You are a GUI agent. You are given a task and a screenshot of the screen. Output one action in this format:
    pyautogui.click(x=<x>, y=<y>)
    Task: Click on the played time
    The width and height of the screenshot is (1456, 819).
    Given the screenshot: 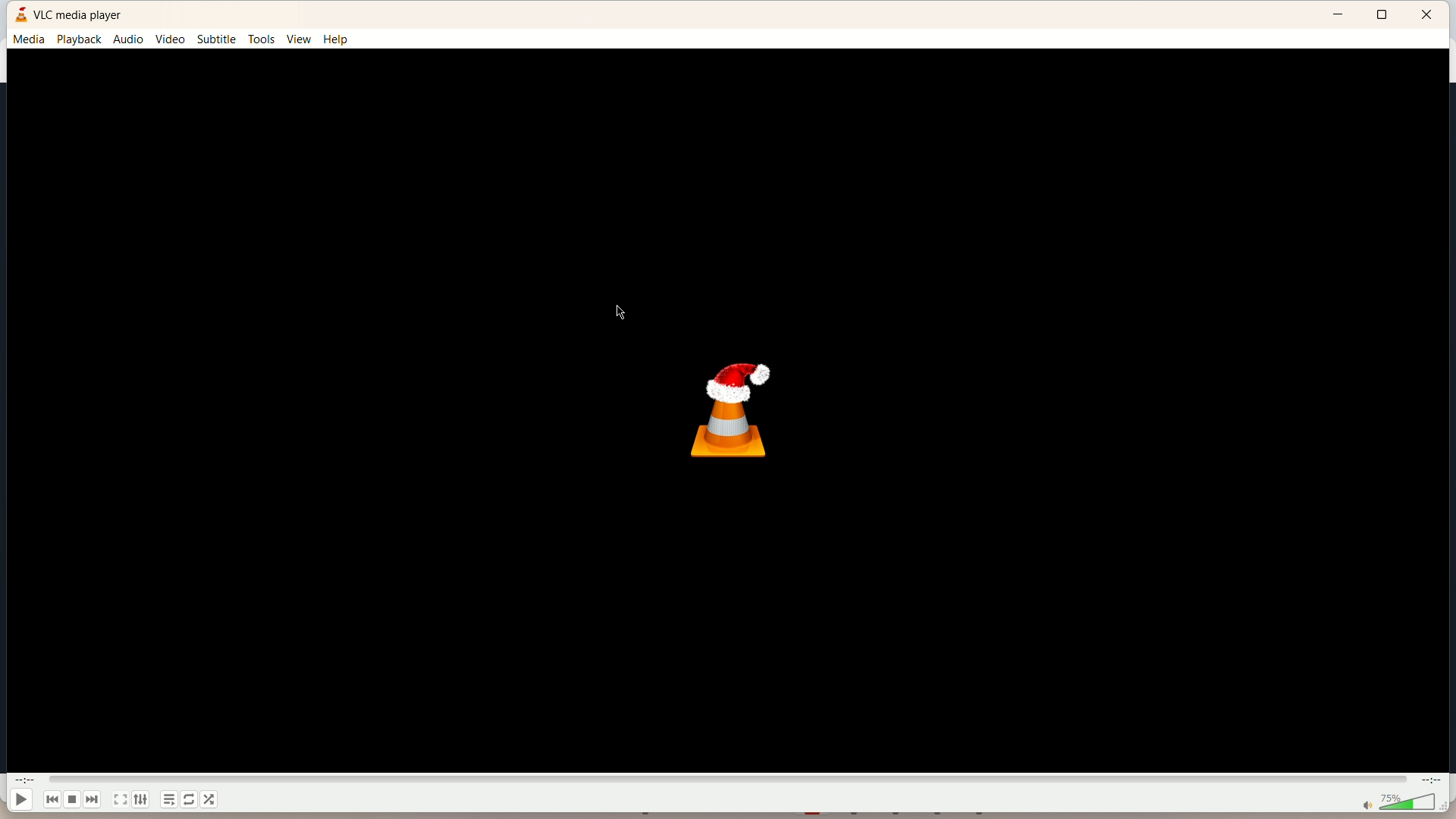 What is the action you would take?
    pyautogui.click(x=24, y=780)
    